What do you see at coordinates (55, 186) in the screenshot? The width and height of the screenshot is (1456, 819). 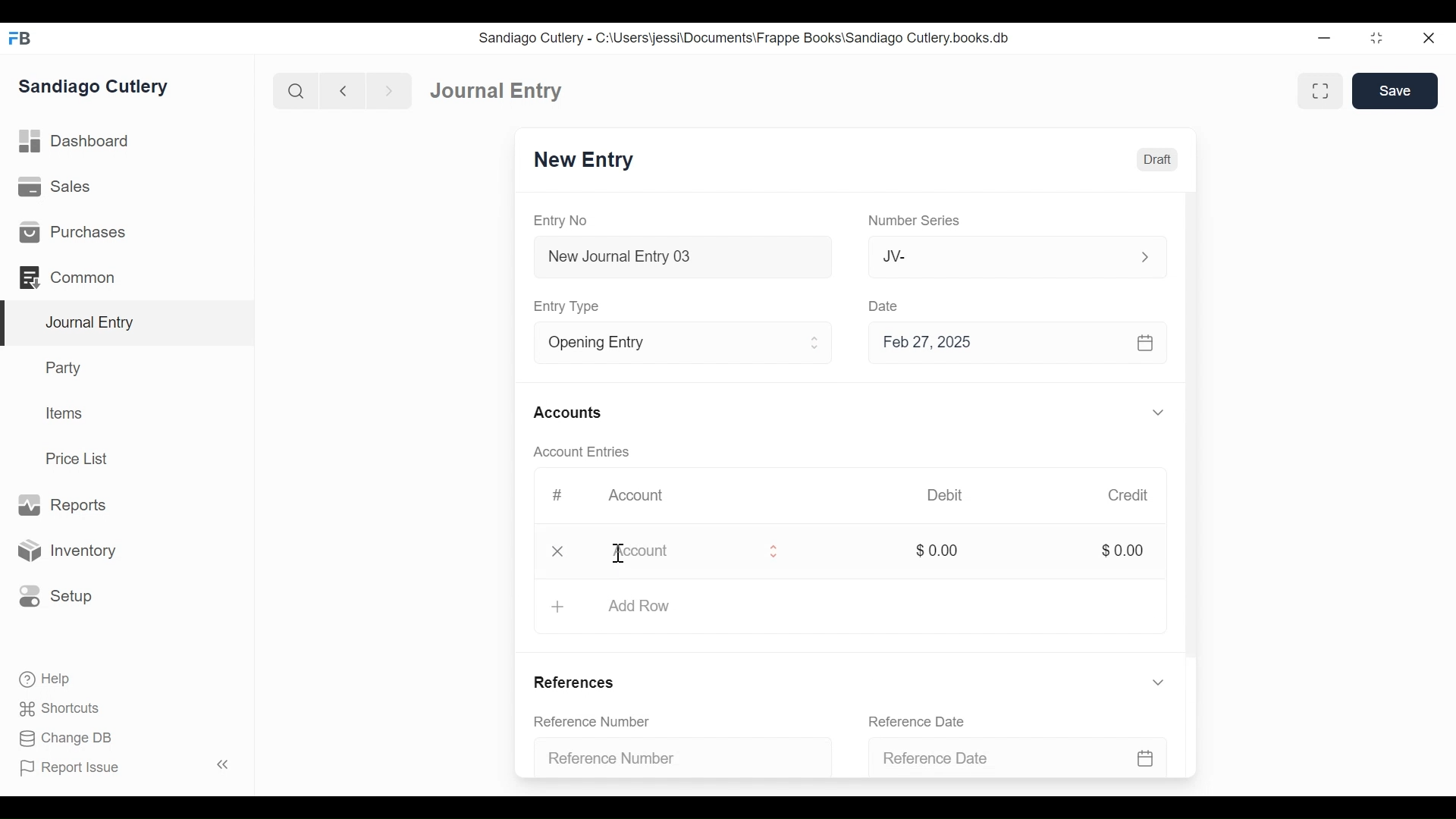 I see `Sales` at bounding box center [55, 186].